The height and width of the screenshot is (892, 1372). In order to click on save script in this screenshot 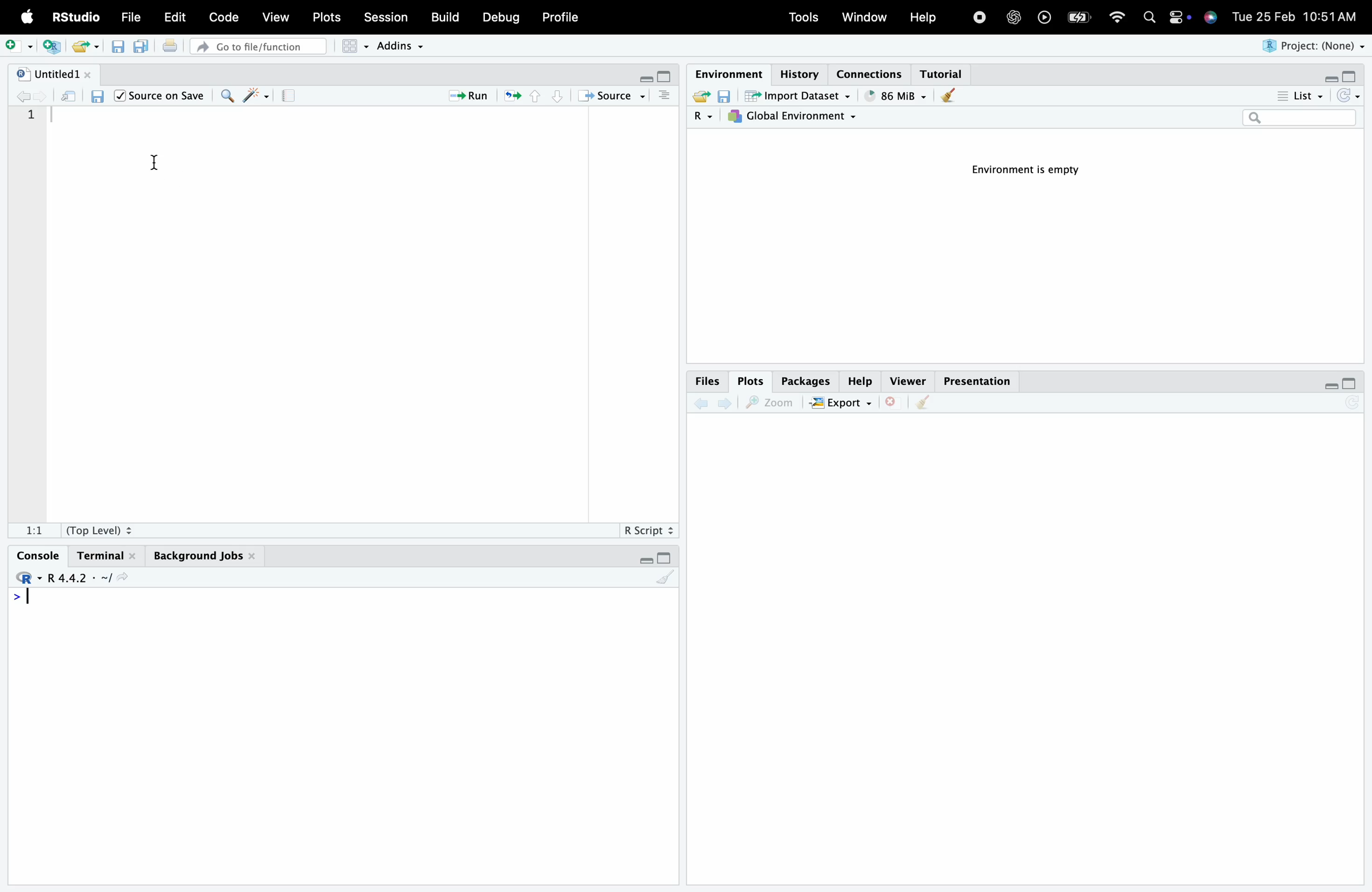, I will do `click(99, 99)`.